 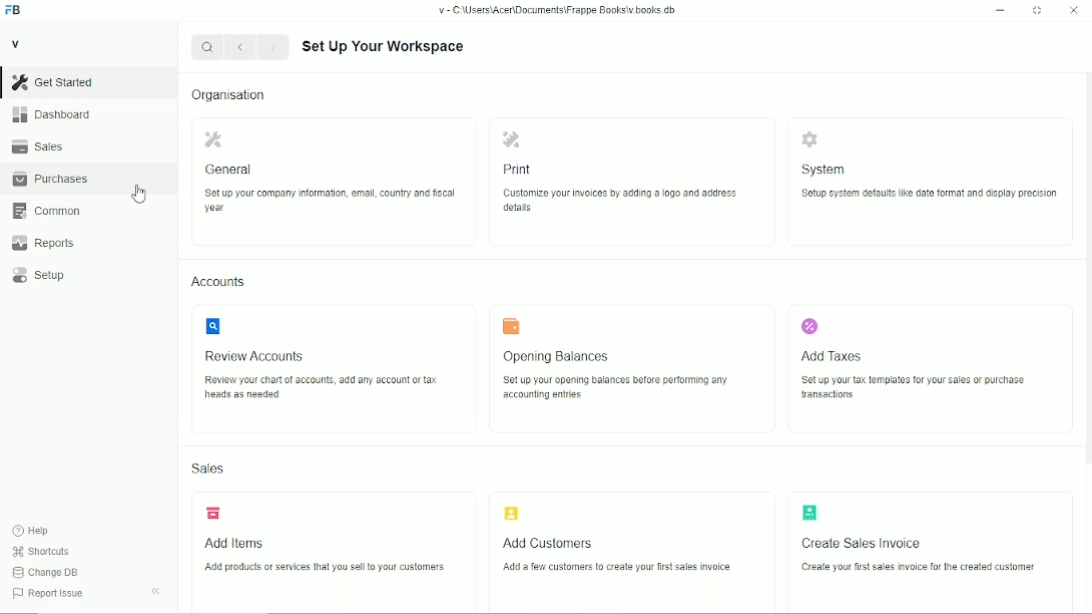 What do you see at coordinates (41, 552) in the screenshot?
I see `shortcuts` at bounding box center [41, 552].